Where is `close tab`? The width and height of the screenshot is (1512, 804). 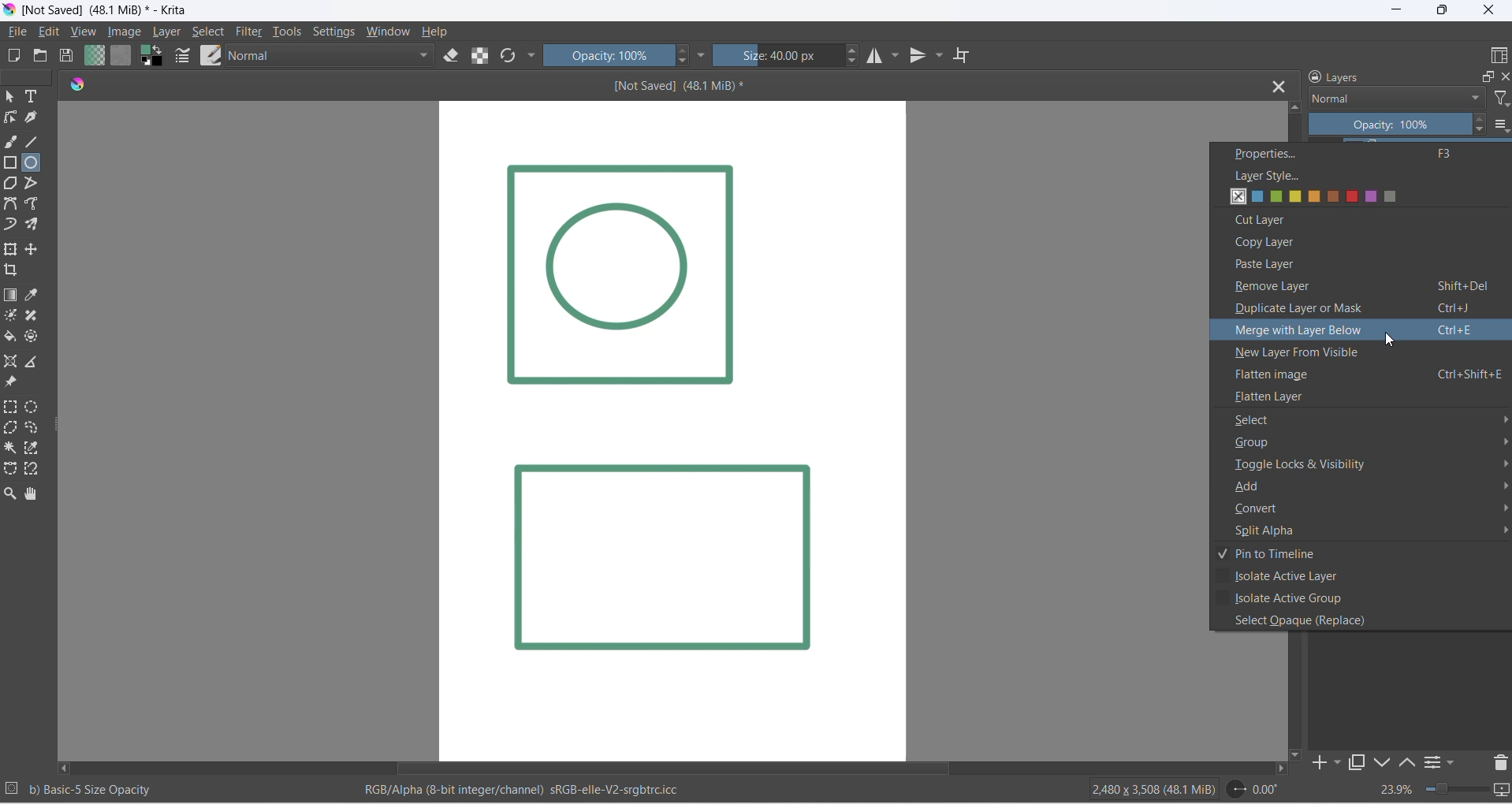 close tab is located at coordinates (1276, 84).